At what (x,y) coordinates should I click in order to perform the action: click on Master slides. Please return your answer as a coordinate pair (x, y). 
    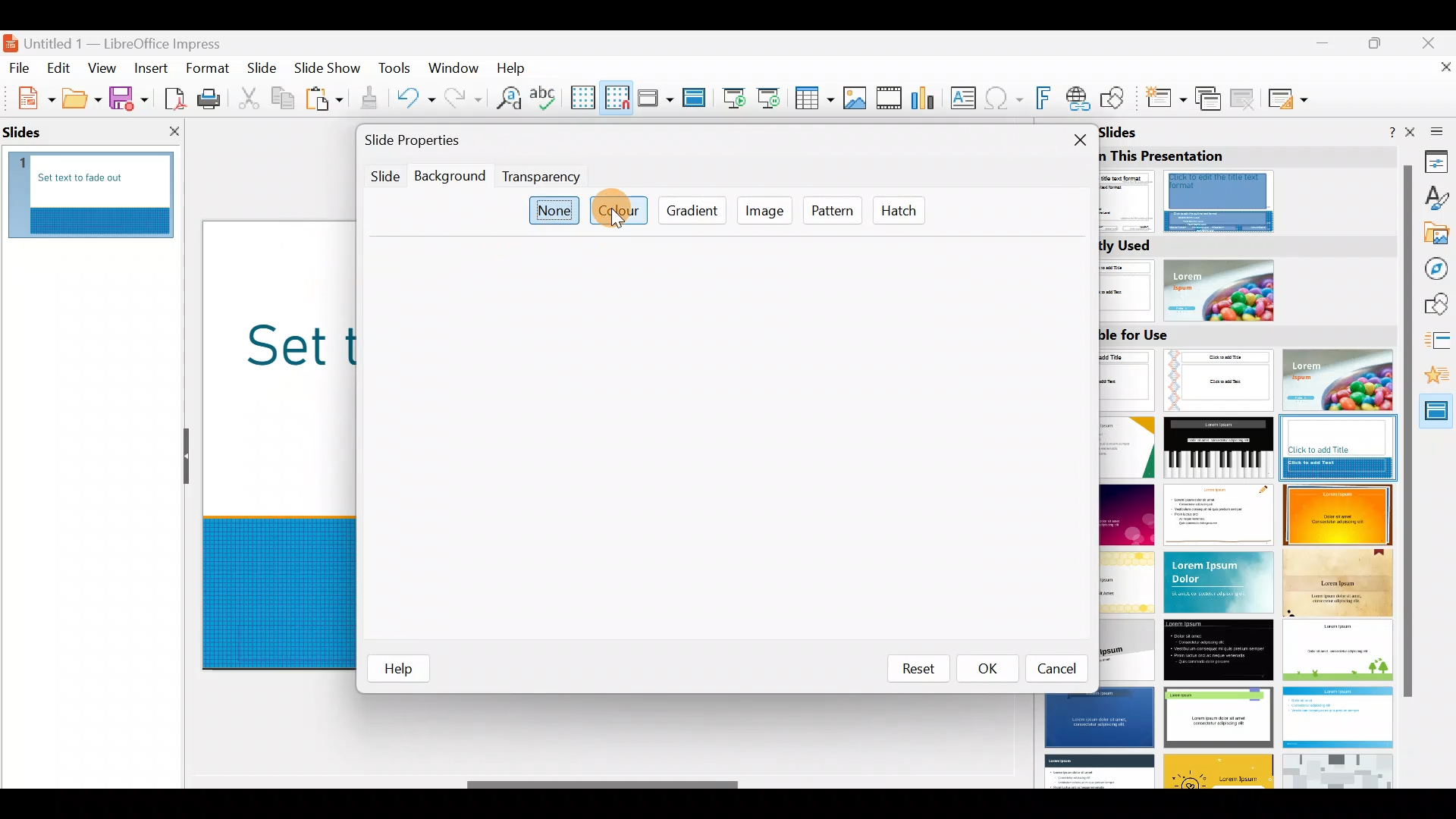
    Looking at the image, I should click on (1438, 416).